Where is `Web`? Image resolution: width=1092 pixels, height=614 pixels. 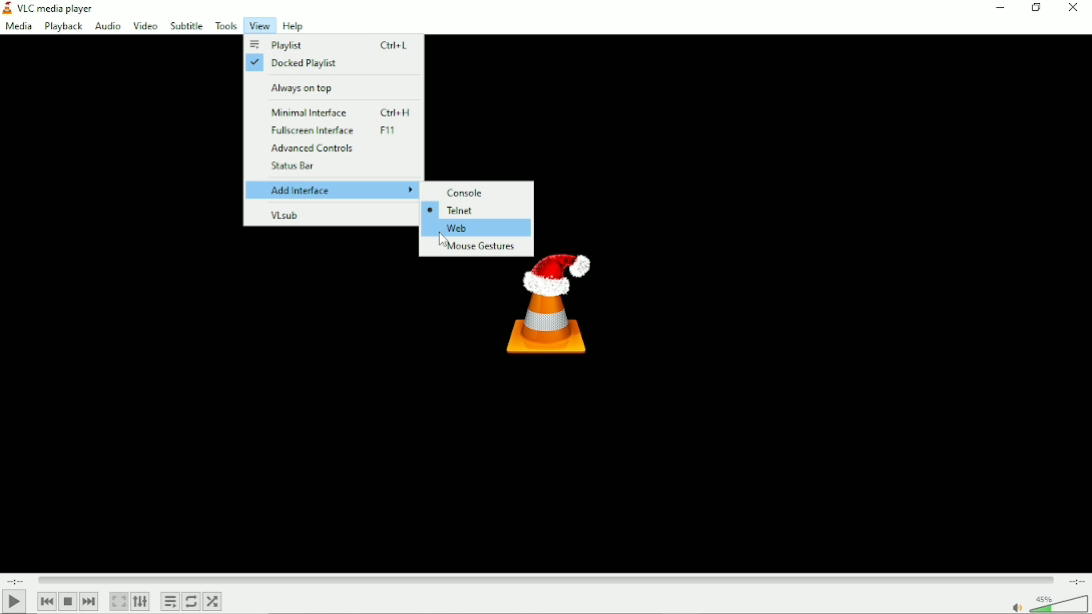 Web is located at coordinates (477, 229).